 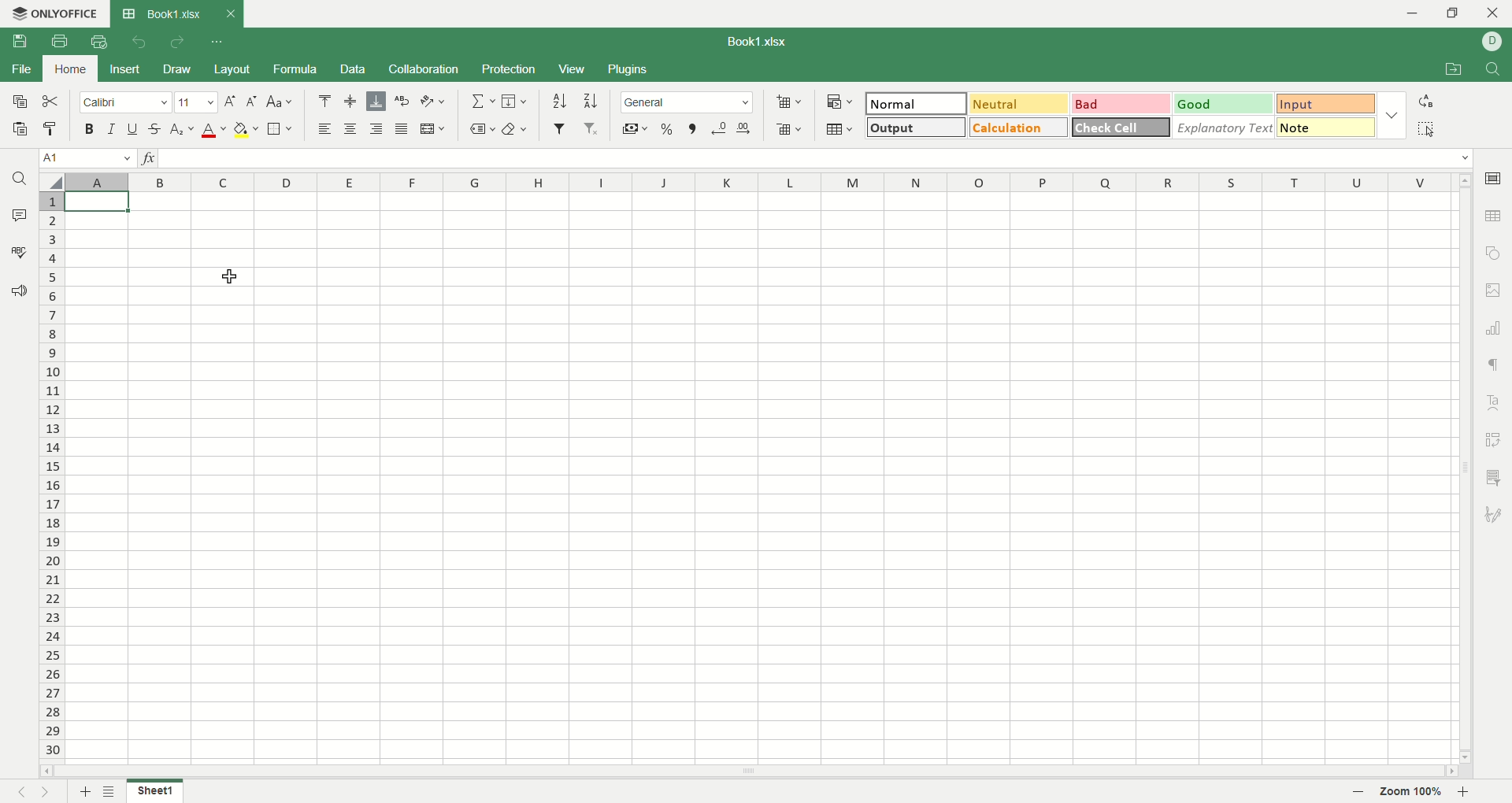 What do you see at coordinates (688, 102) in the screenshot?
I see `general` at bounding box center [688, 102].